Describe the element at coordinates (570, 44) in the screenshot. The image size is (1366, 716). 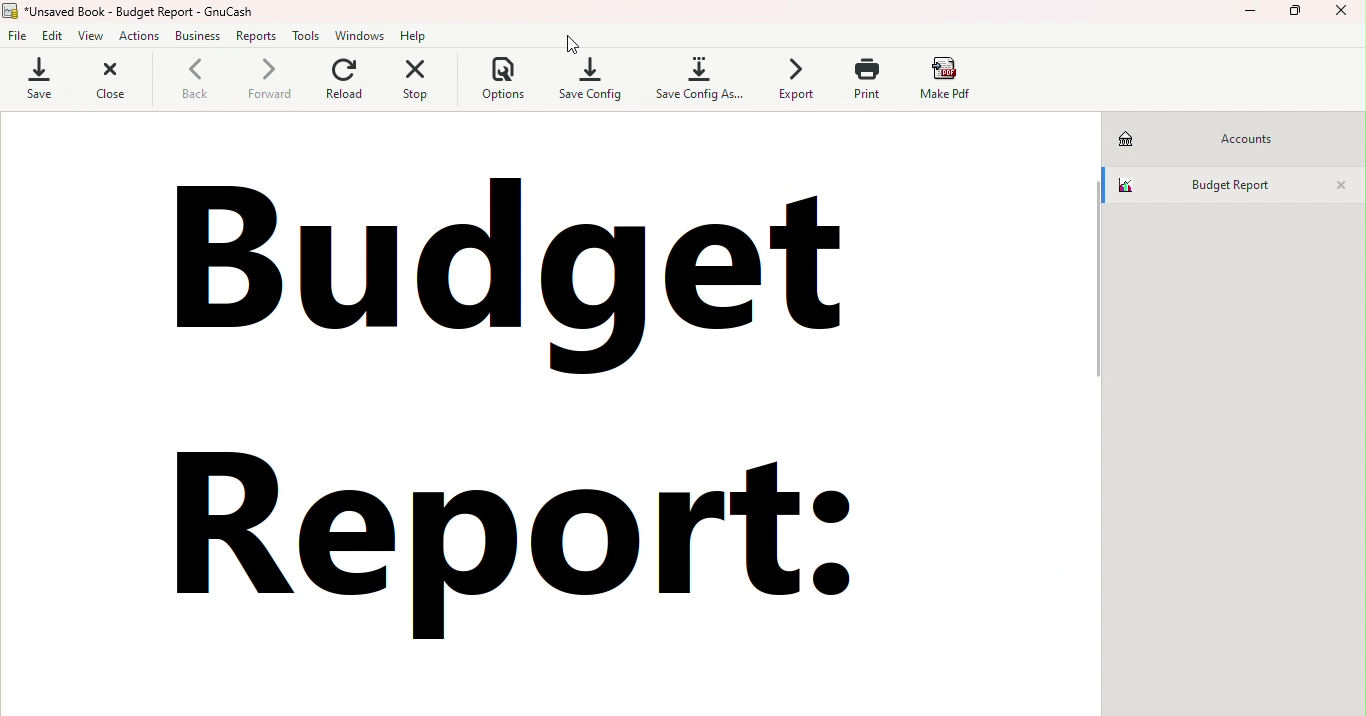
I see `Close` at that location.